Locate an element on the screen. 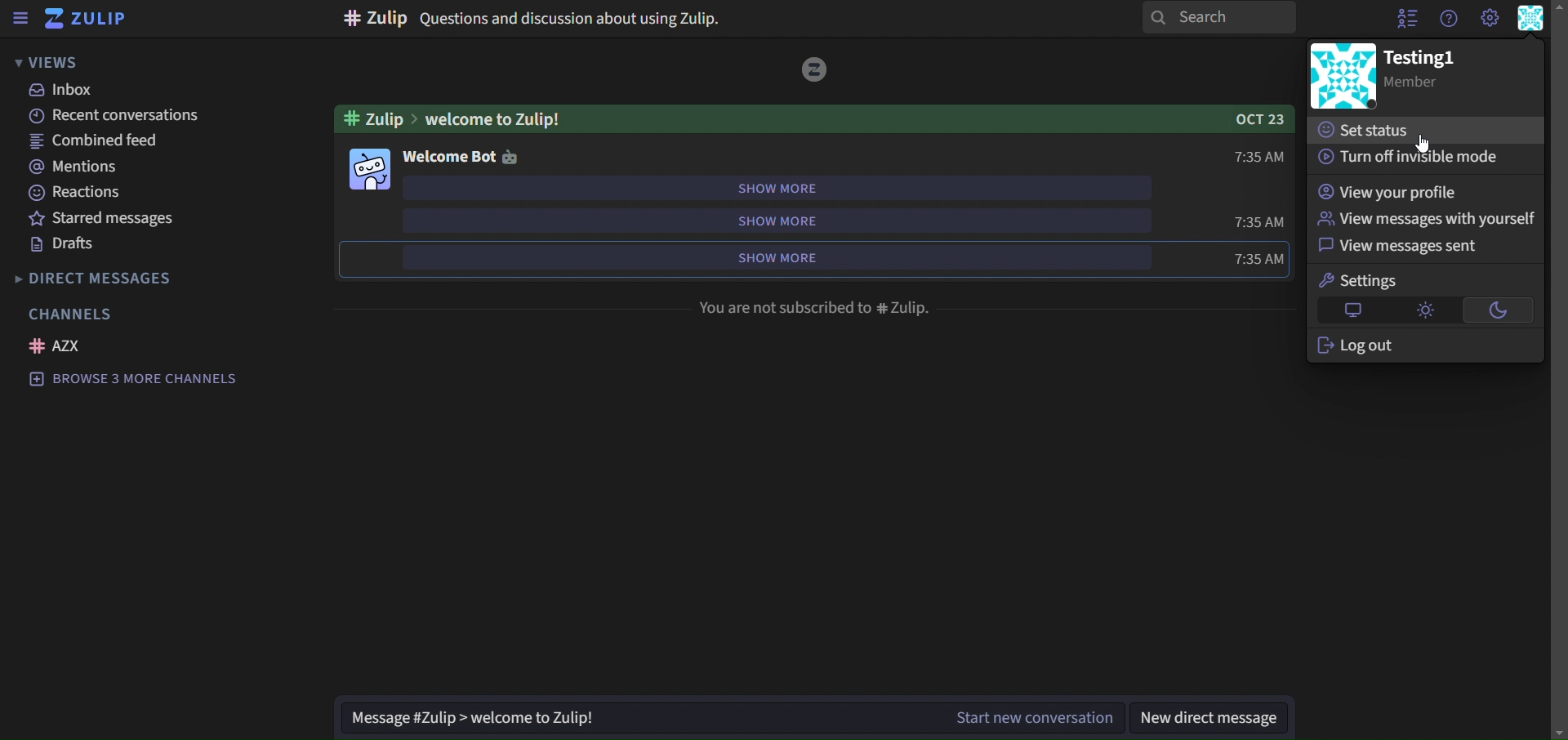 This screenshot has height=740, width=1568. sidebar is located at coordinates (20, 18).